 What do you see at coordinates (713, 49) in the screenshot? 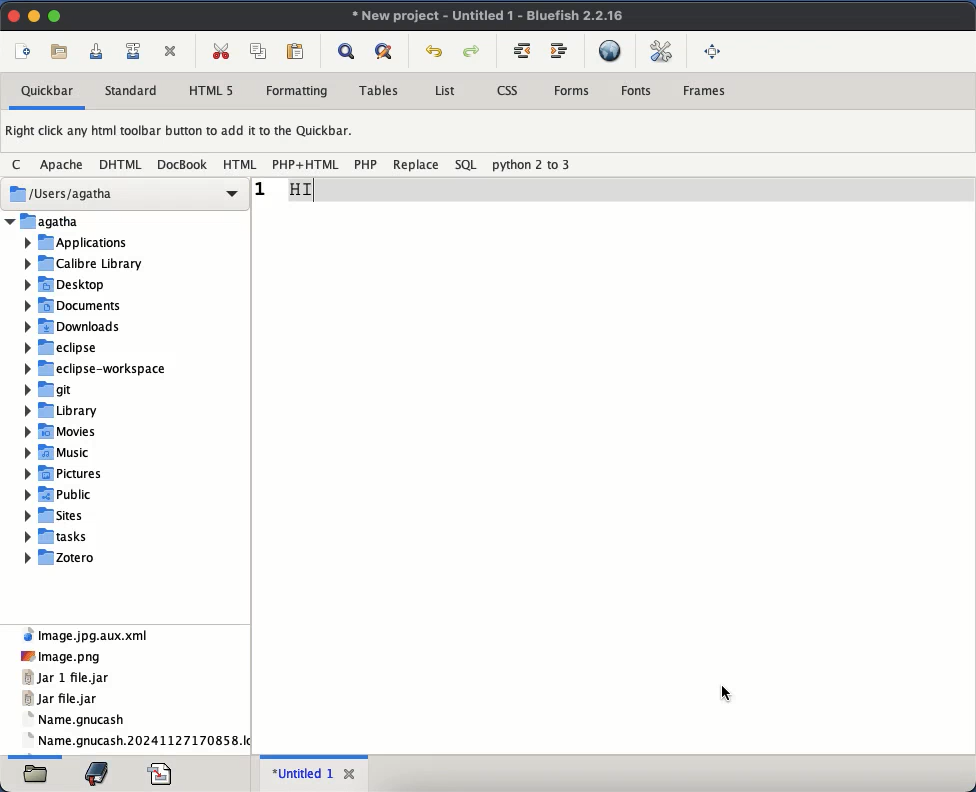
I see `full screen` at bounding box center [713, 49].